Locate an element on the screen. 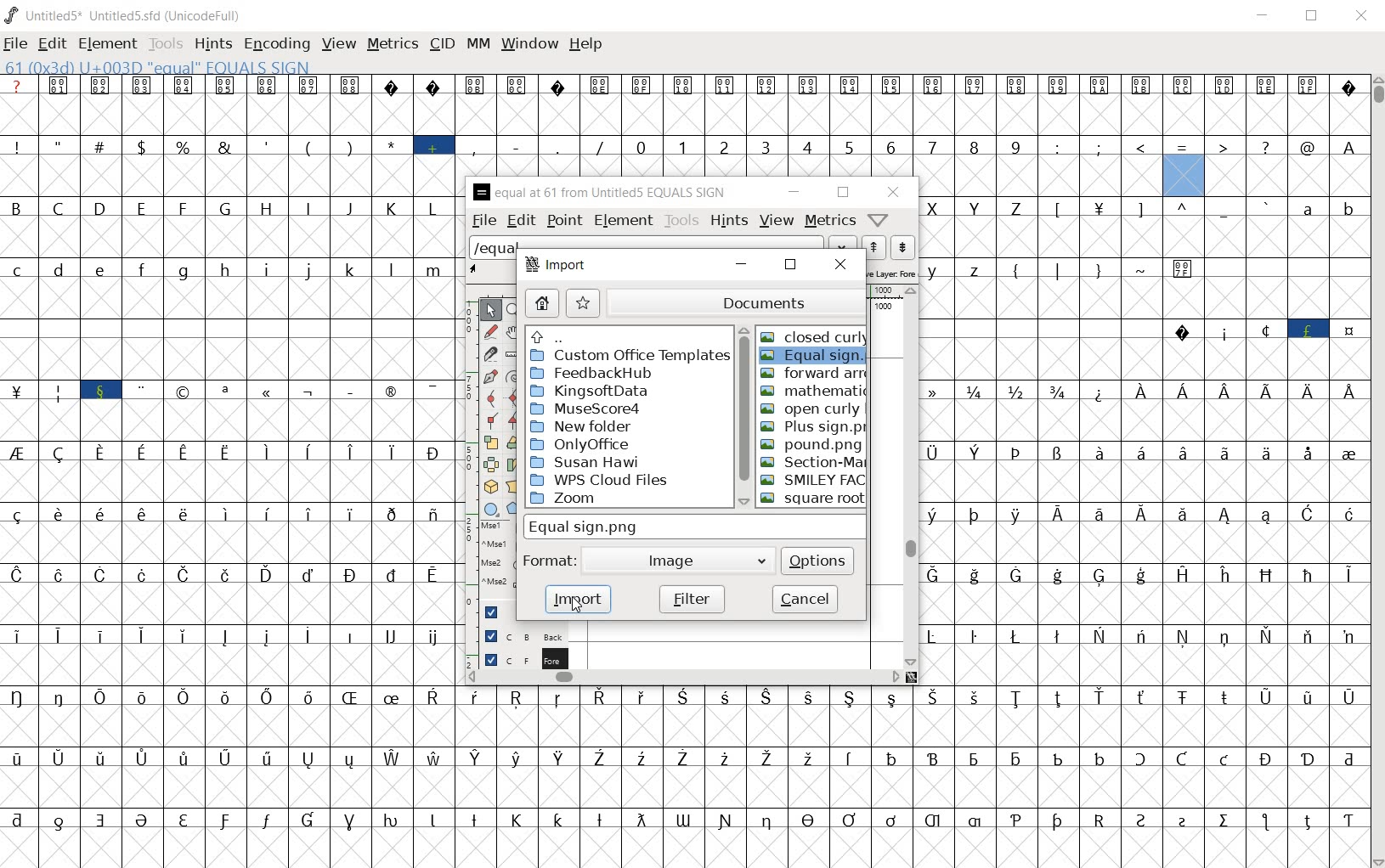 Image resolution: width=1385 pixels, height=868 pixels. minimize is located at coordinates (794, 194).